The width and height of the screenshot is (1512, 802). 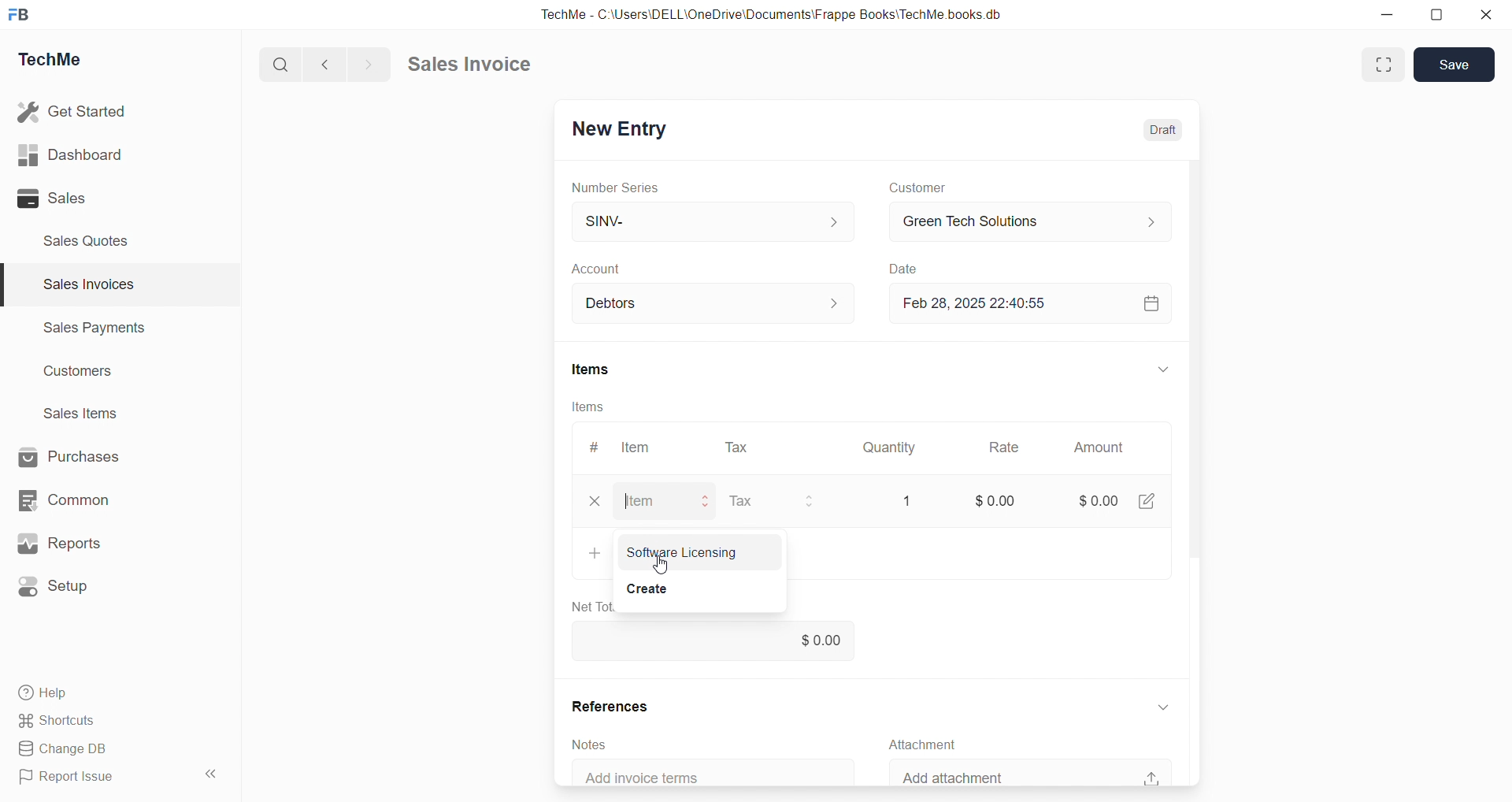 I want to click on Sales invoices, so click(x=87, y=284).